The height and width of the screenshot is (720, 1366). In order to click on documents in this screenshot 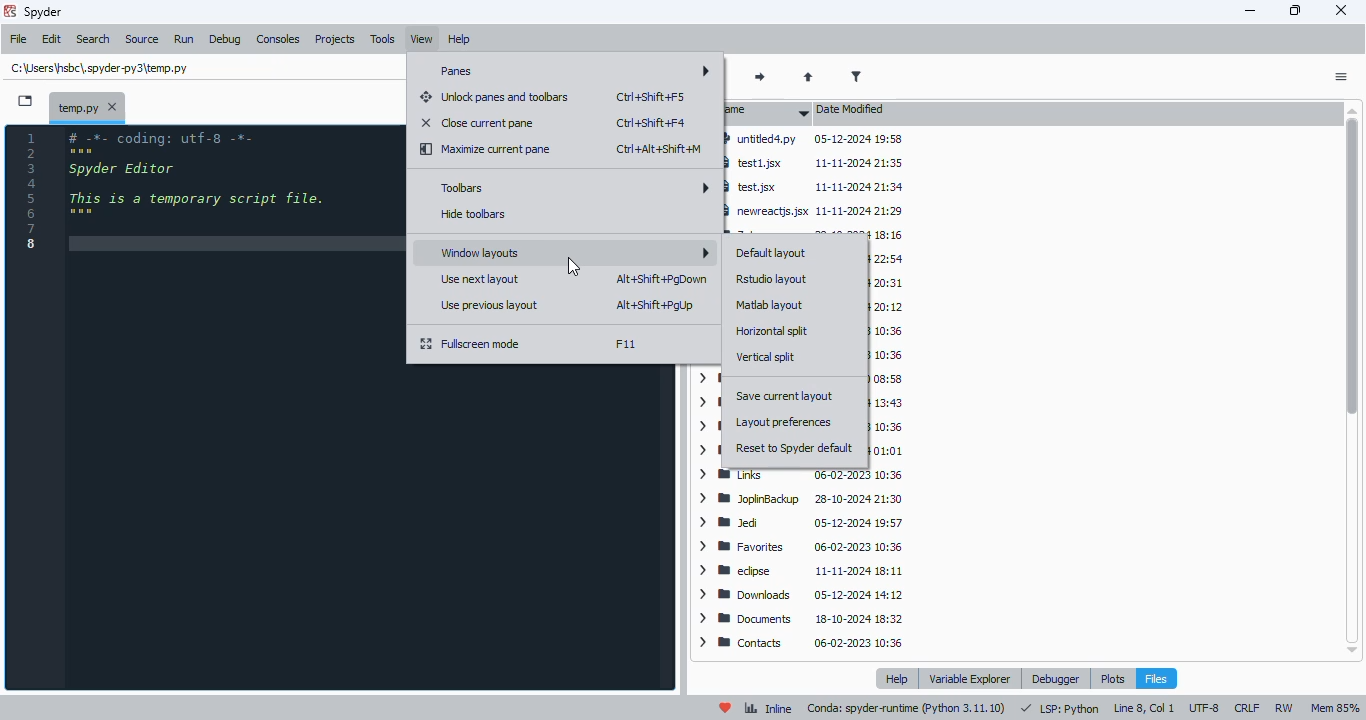, I will do `click(800, 619)`.